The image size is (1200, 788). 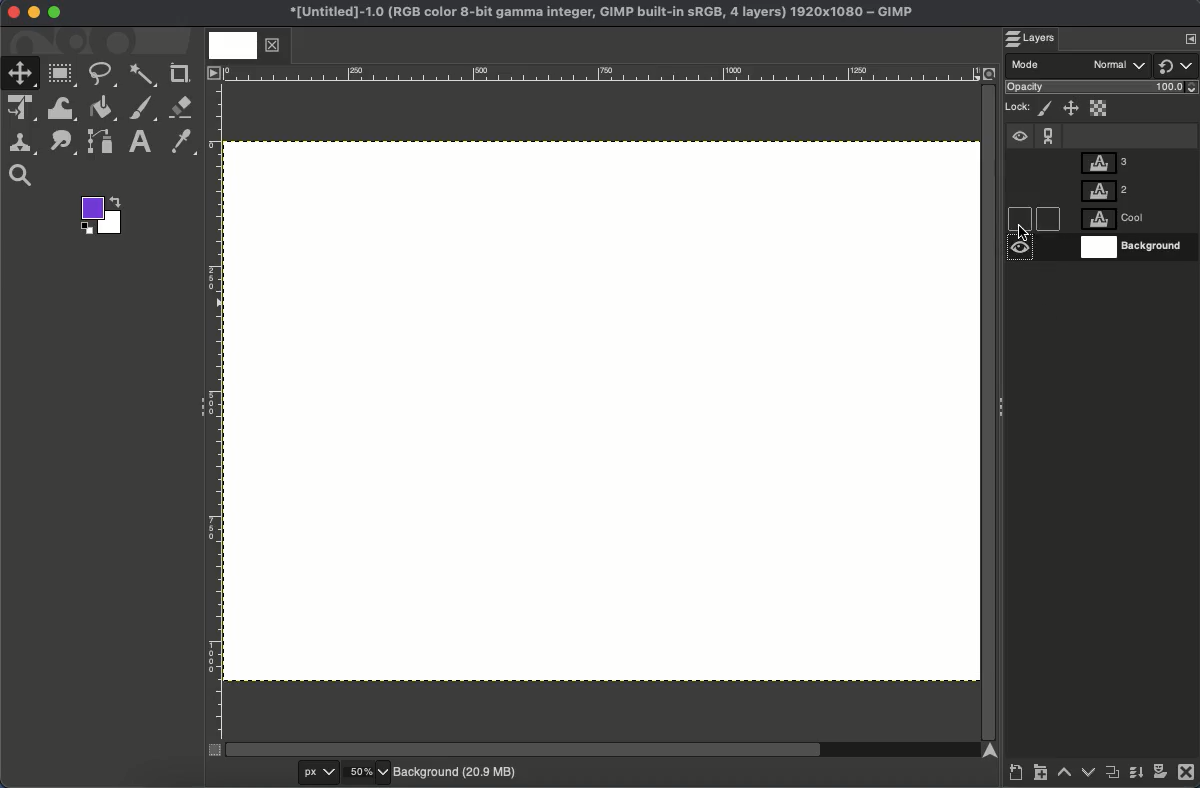 I want to click on Background, so click(x=457, y=770).